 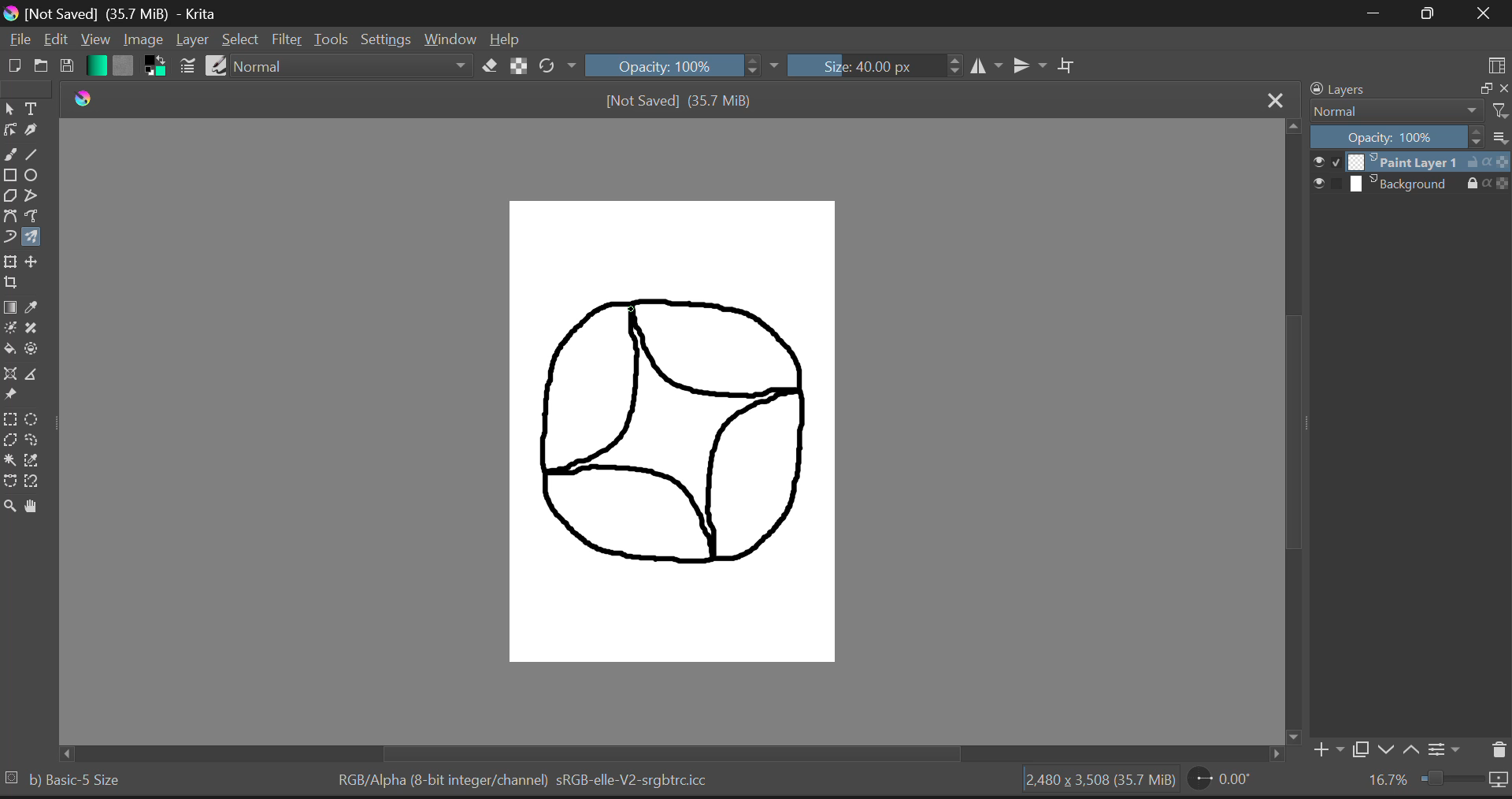 I want to click on Texts, so click(x=32, y=107).